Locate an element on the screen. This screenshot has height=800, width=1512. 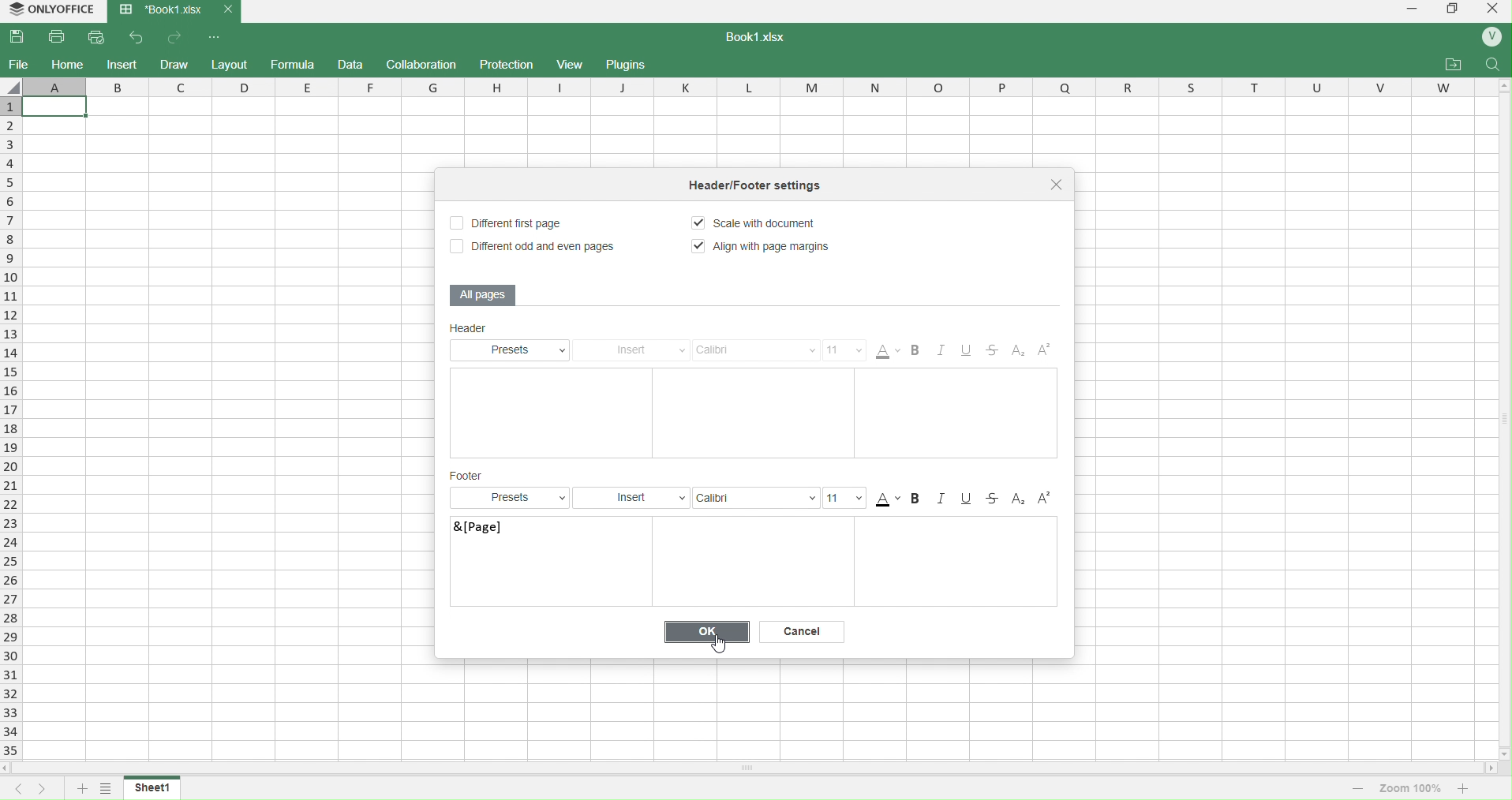
Calibri is located at coordinates (757, 350).